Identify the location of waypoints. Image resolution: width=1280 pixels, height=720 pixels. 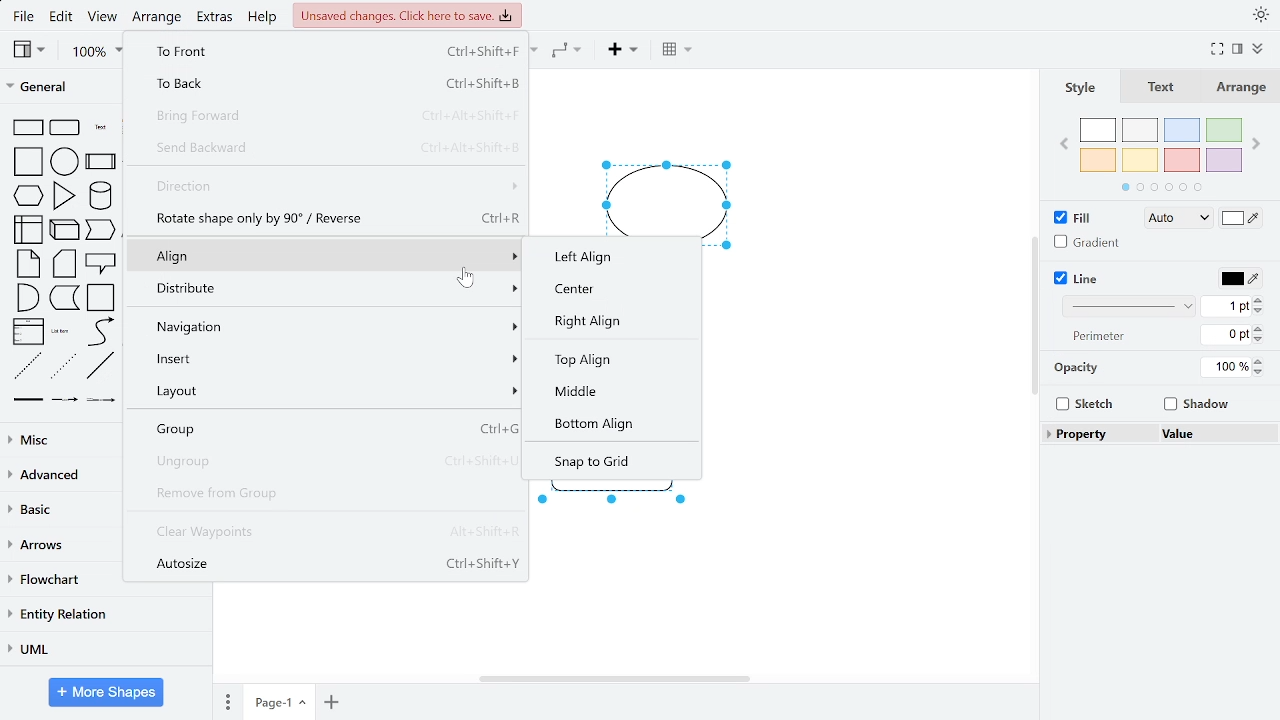
(567, 52).